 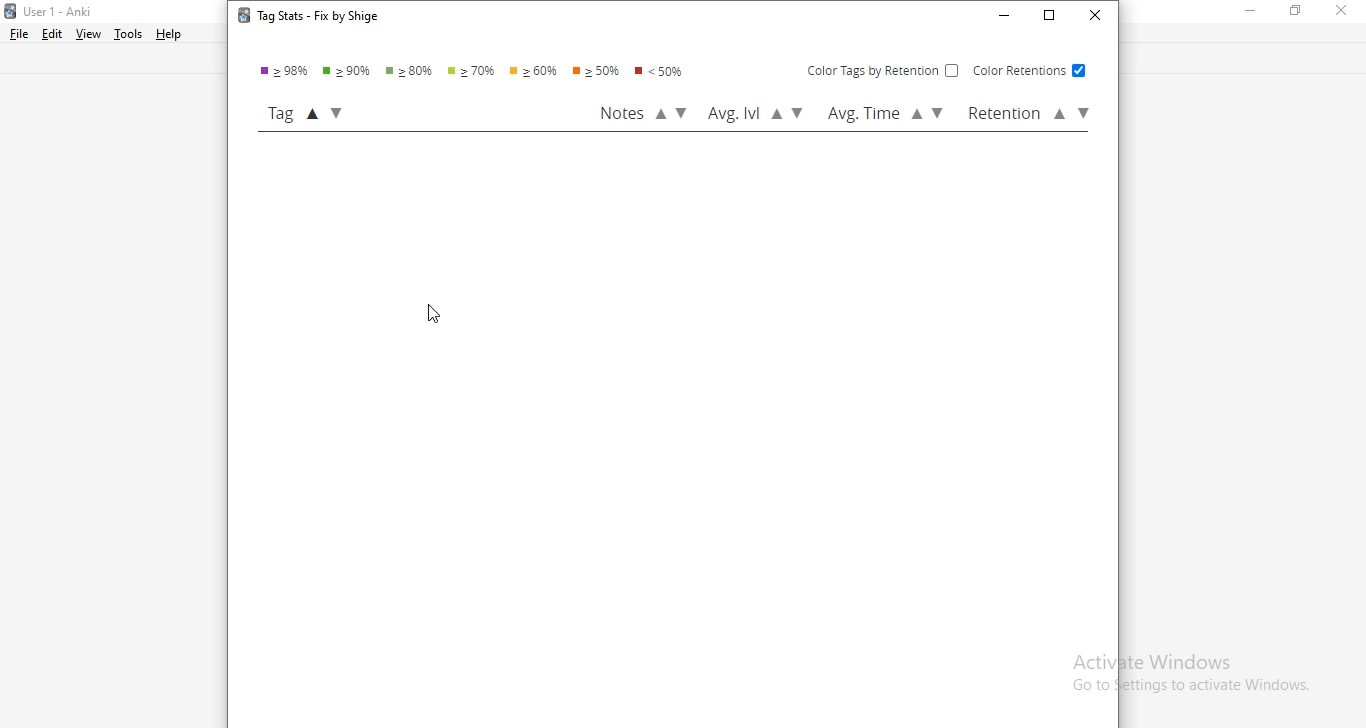 I want to click on retention, so click(x=1026, y=114).